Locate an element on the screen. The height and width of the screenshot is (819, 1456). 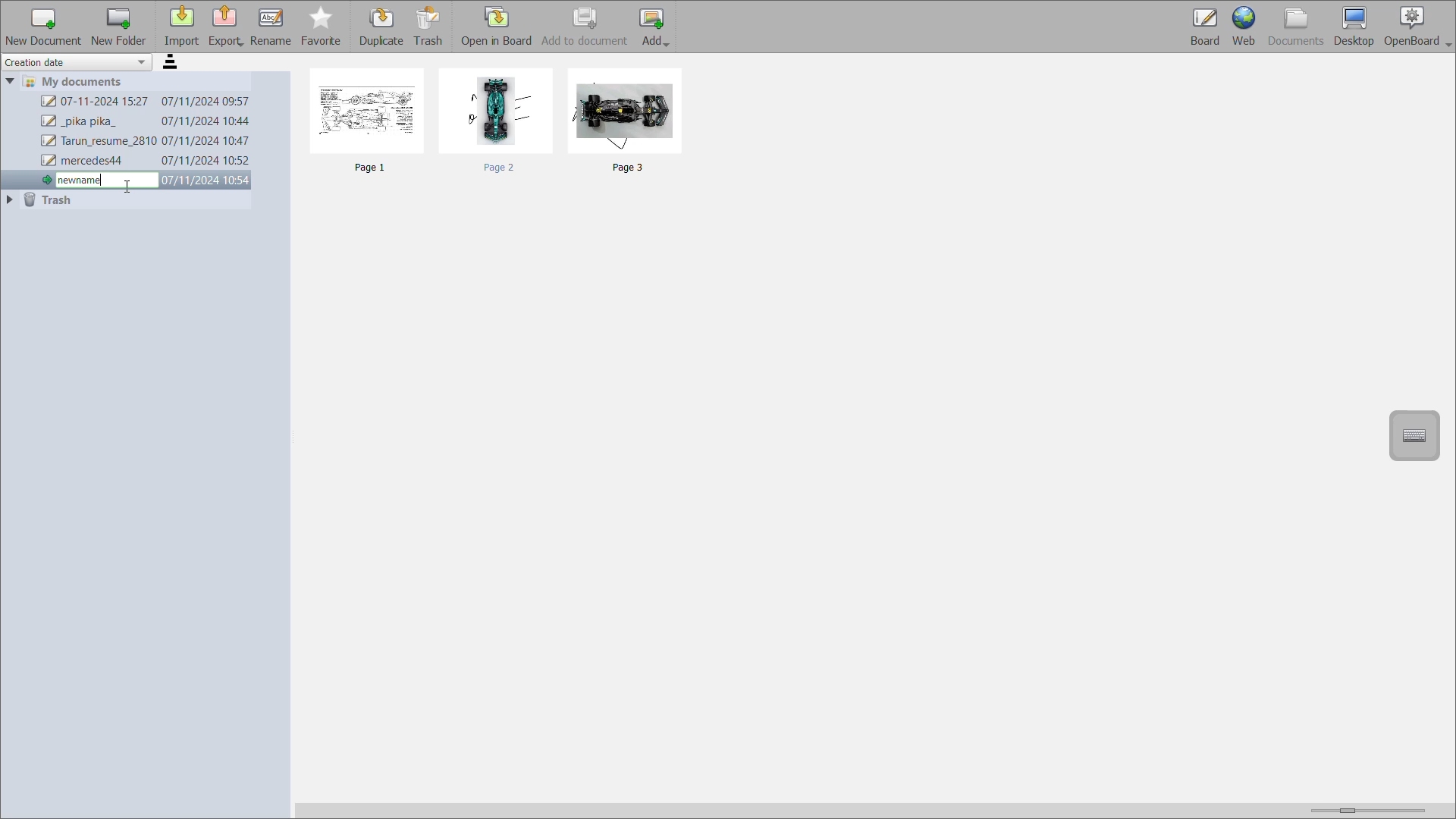
07-11-2024 15:27 07/11/2024 09:57 is located at coordinates (146, 102).